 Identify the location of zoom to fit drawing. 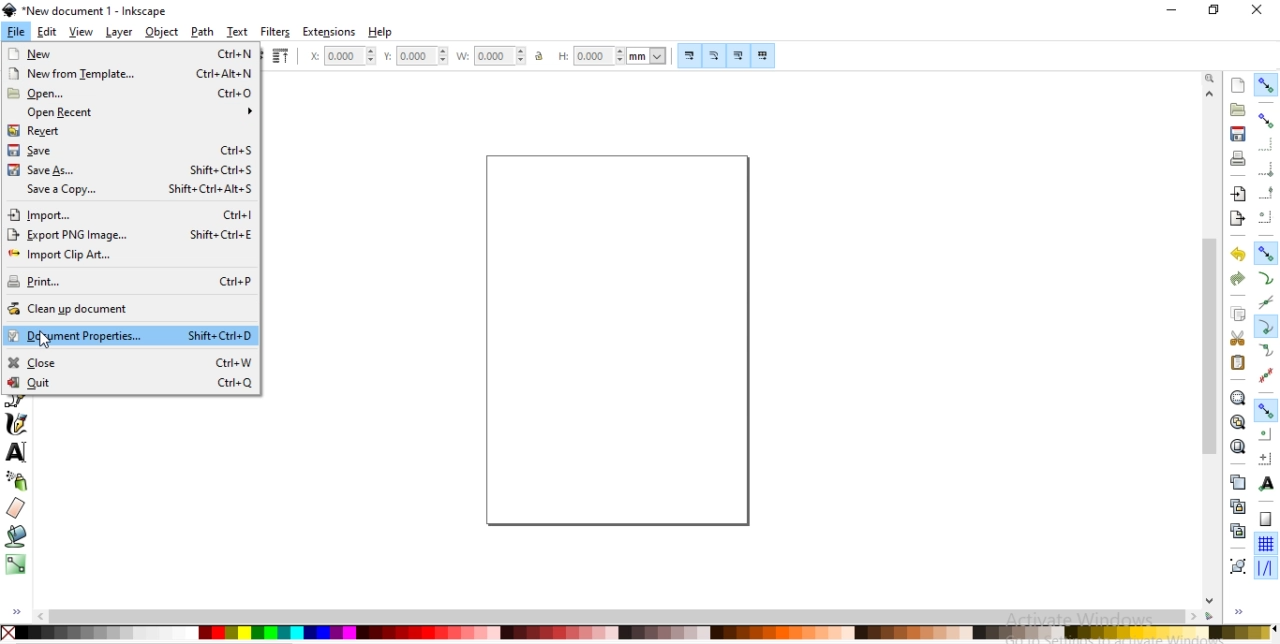
(1237, 423).